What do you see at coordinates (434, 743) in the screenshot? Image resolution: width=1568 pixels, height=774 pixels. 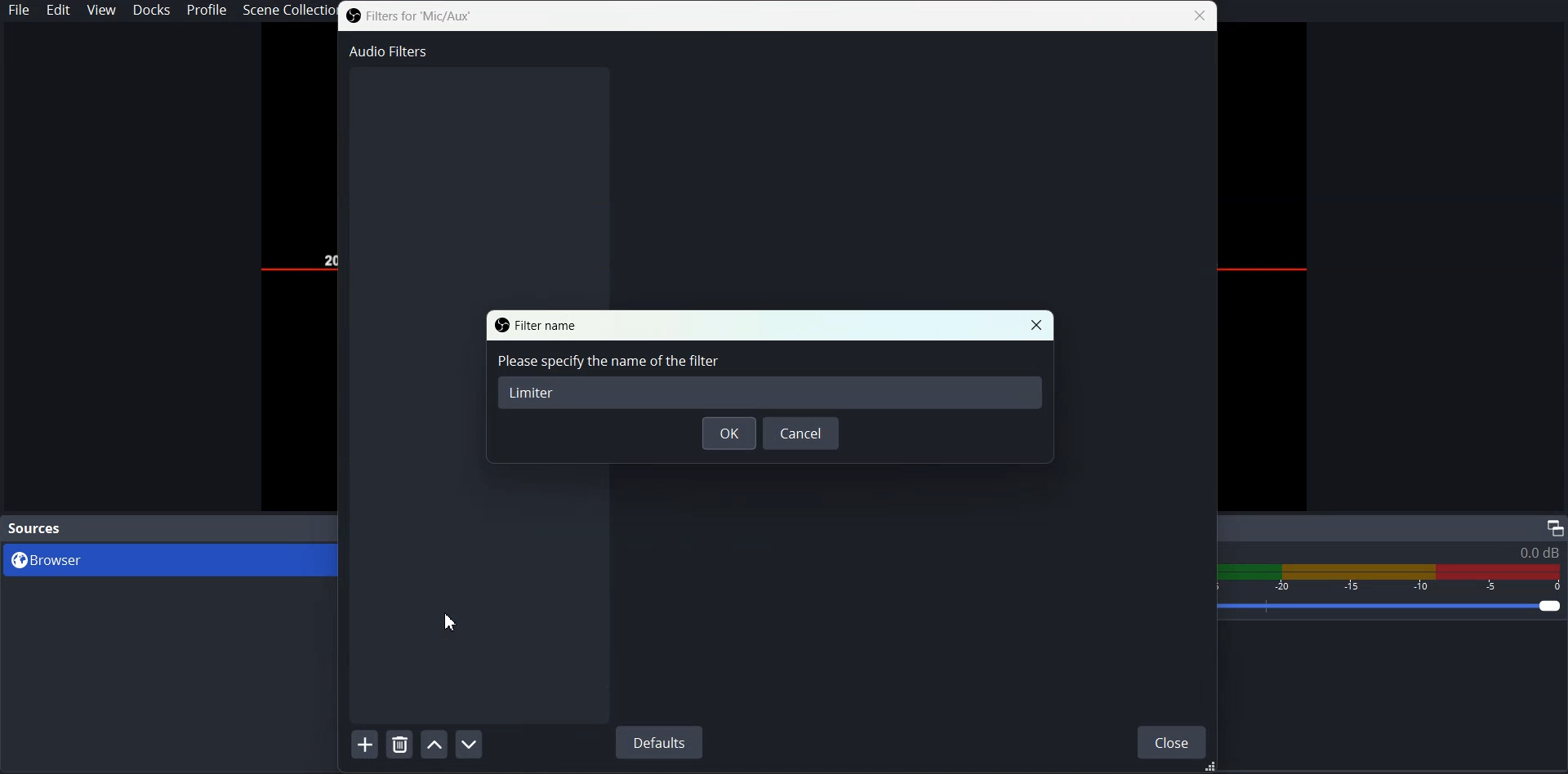 I see `Move Filter Up` at bounding box center [434, 743].